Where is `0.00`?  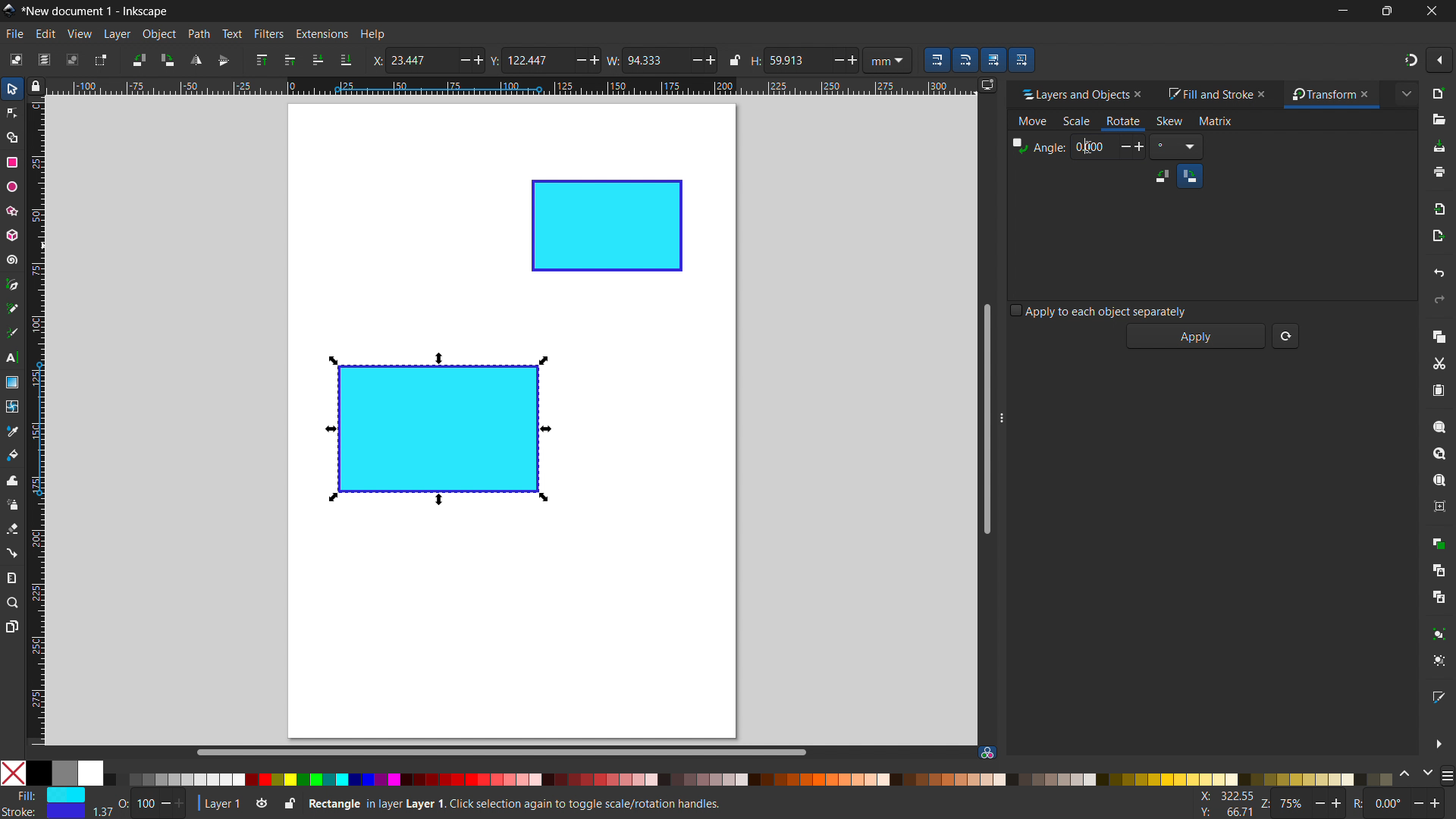
0.00 is located at coordinates (1107, 146).